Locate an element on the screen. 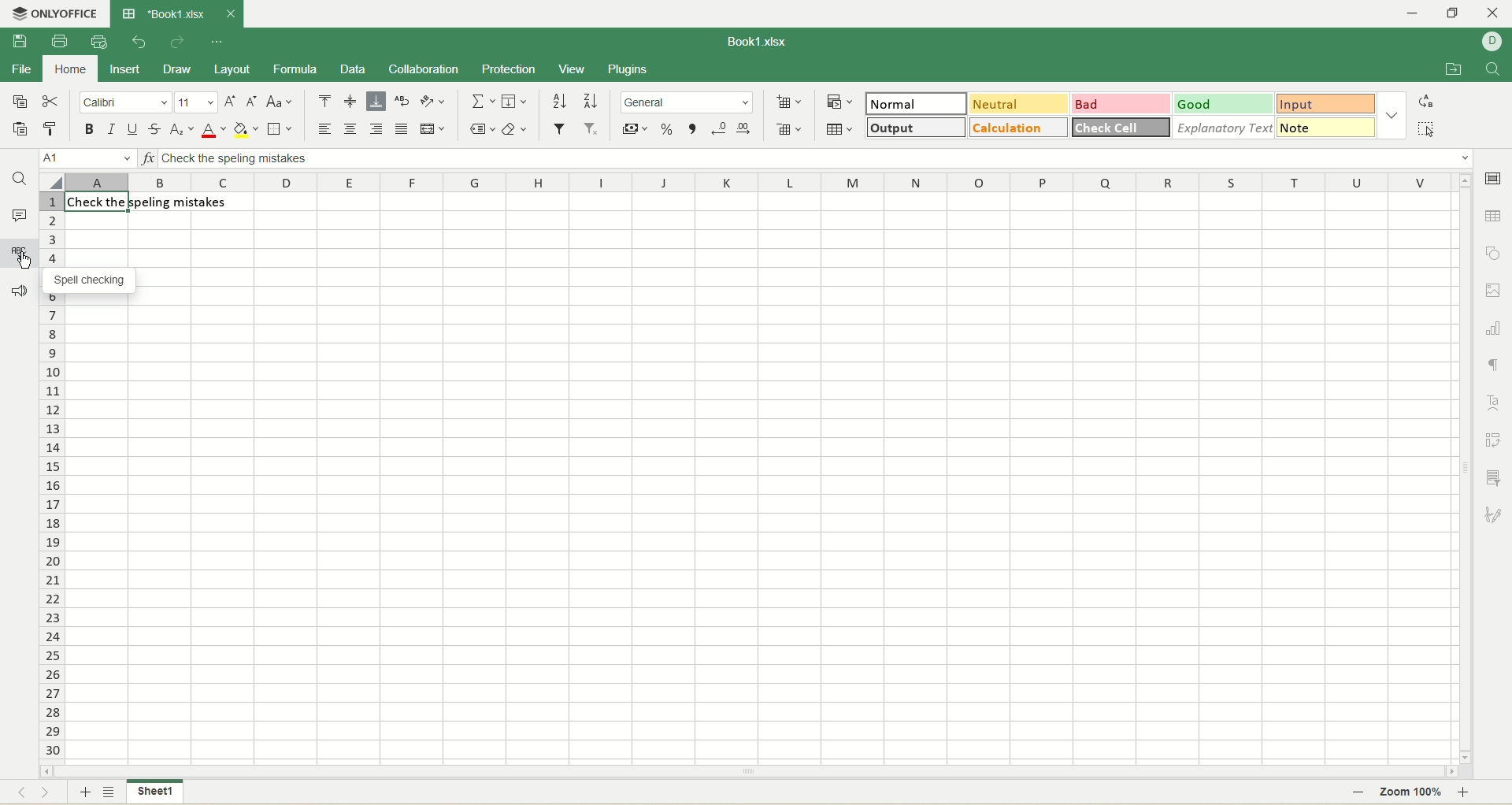 This screenshot has width=1512, height=805. italic is located at coordinates (111, 131).